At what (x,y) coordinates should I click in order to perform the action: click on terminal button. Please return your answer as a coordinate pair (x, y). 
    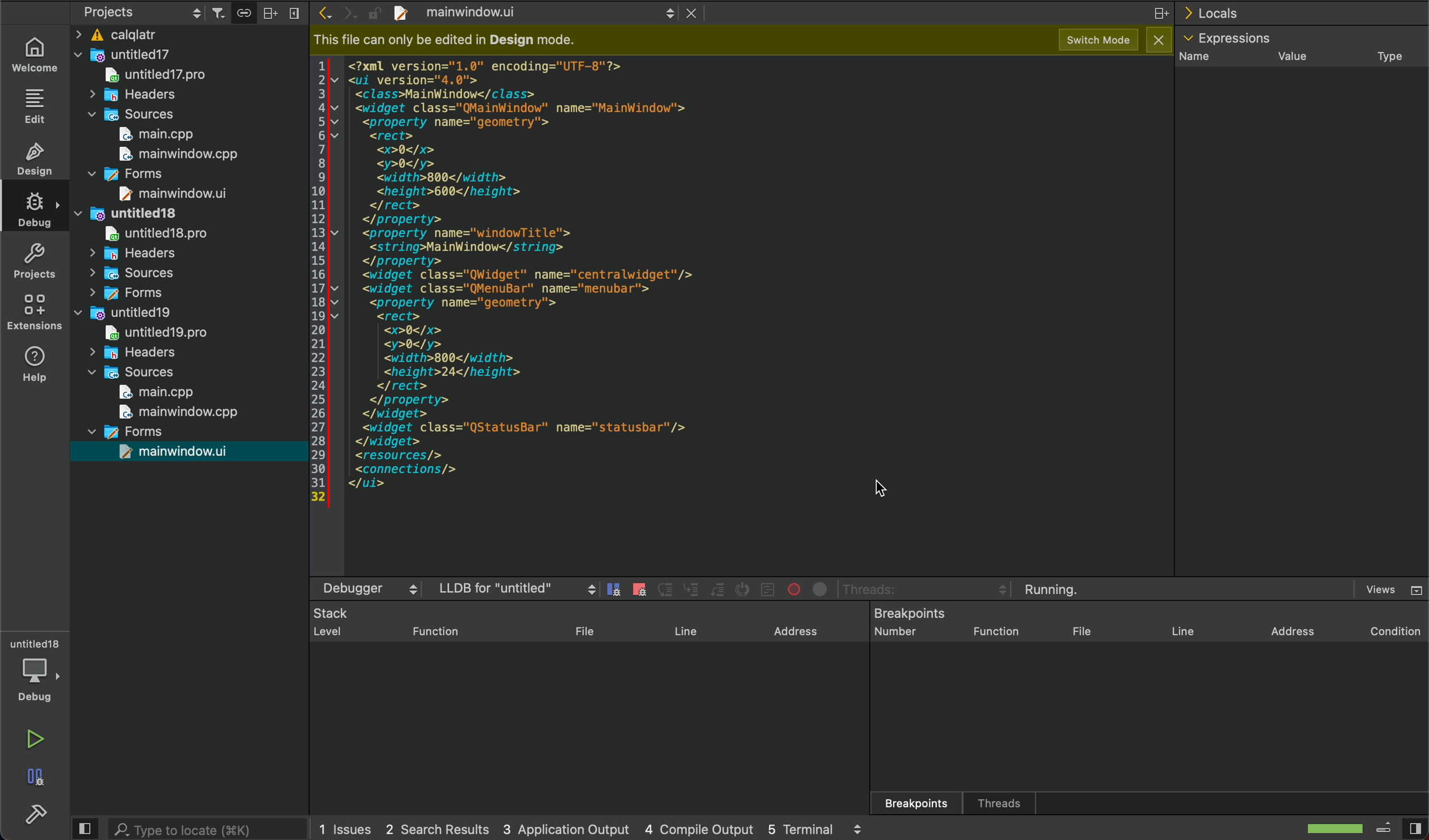
    Looking at the image, I should click on (718, 591).